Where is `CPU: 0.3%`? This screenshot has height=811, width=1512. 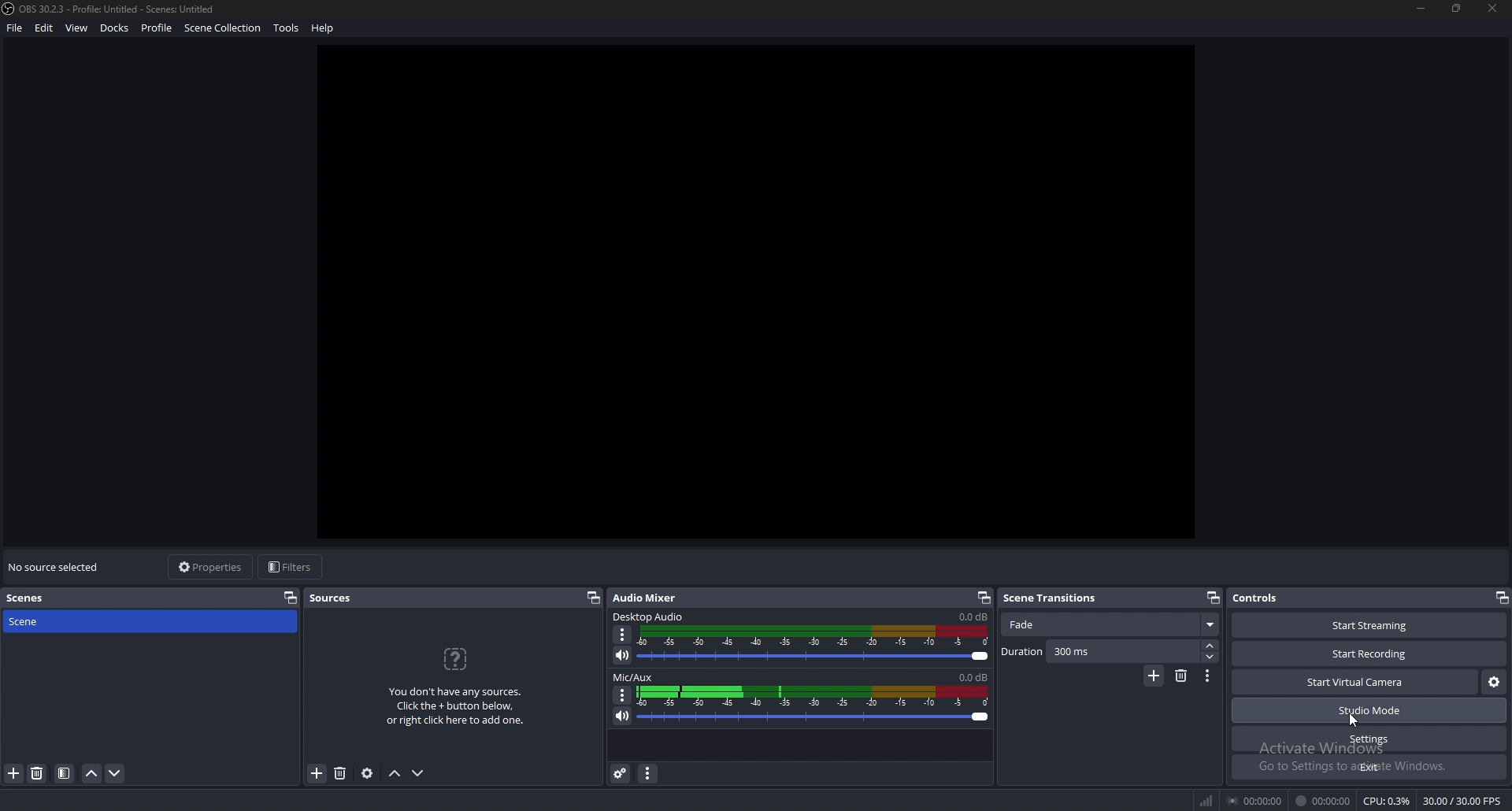 CPU: 0.3% is located at coordinates (1388, 801).